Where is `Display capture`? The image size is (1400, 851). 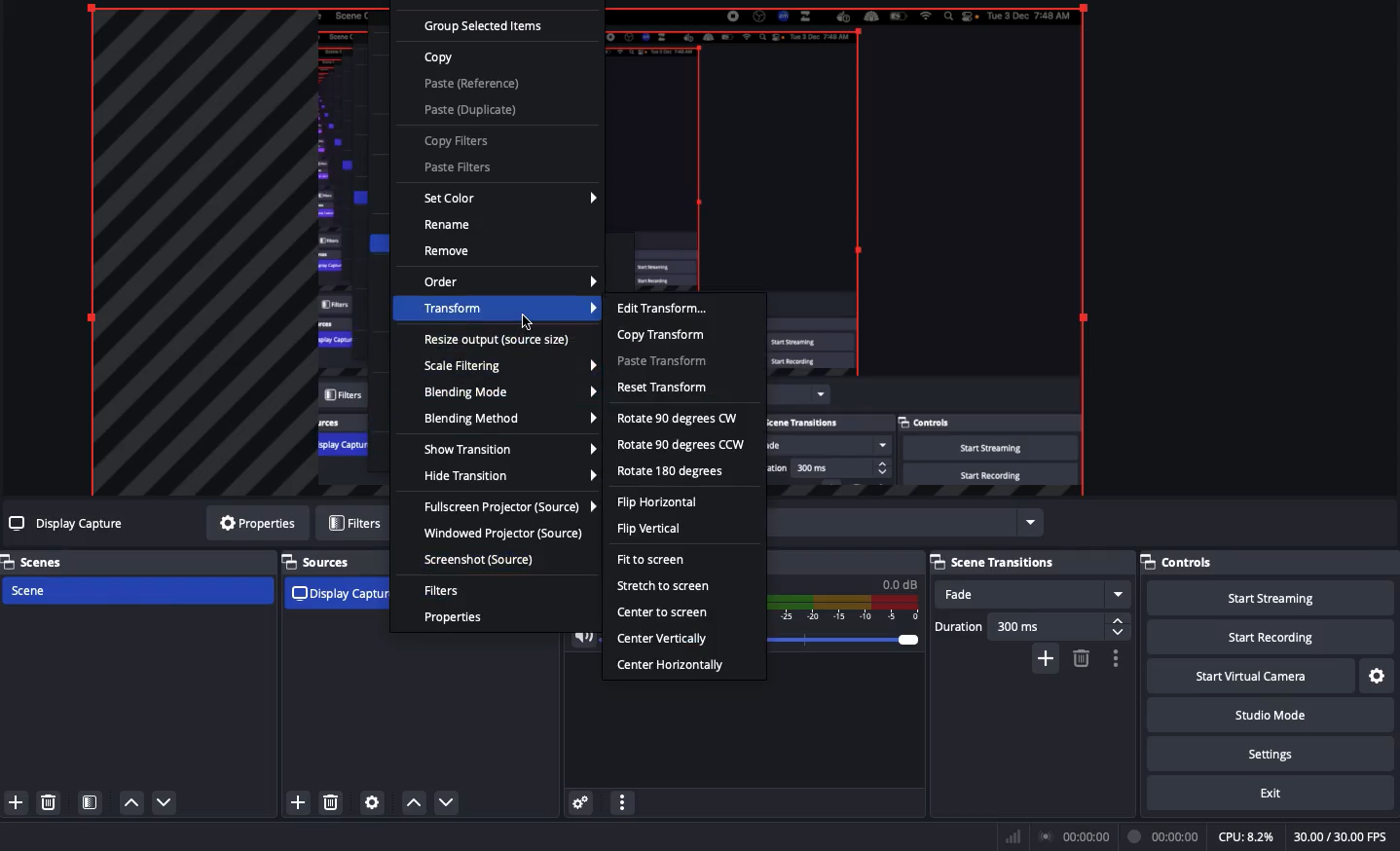 Display capture is located at coordinates (64, 527).